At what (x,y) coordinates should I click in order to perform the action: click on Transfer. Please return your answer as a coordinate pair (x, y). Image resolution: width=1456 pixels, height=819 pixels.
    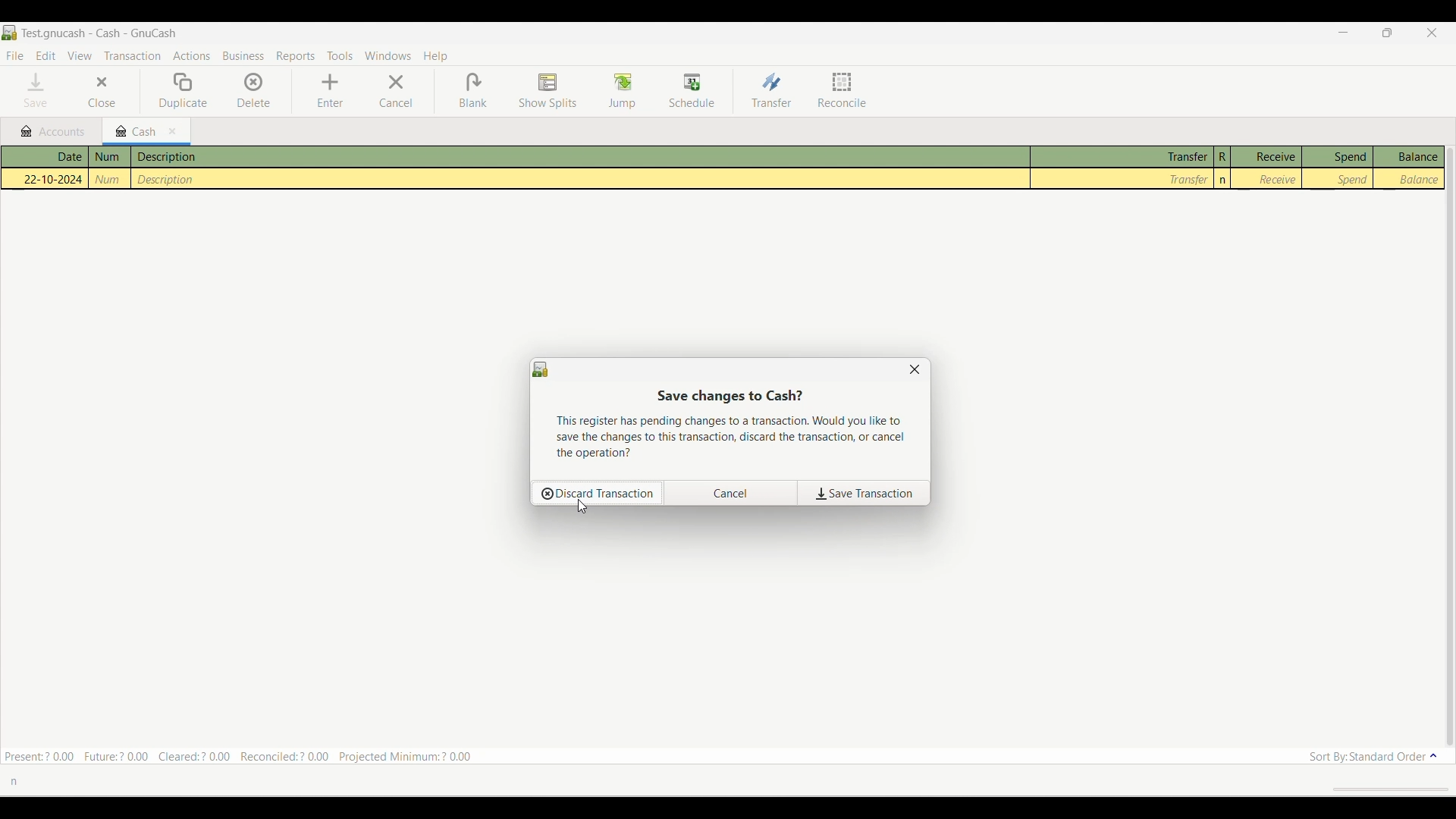
    Looking at the image, I should click on (1122, 168).